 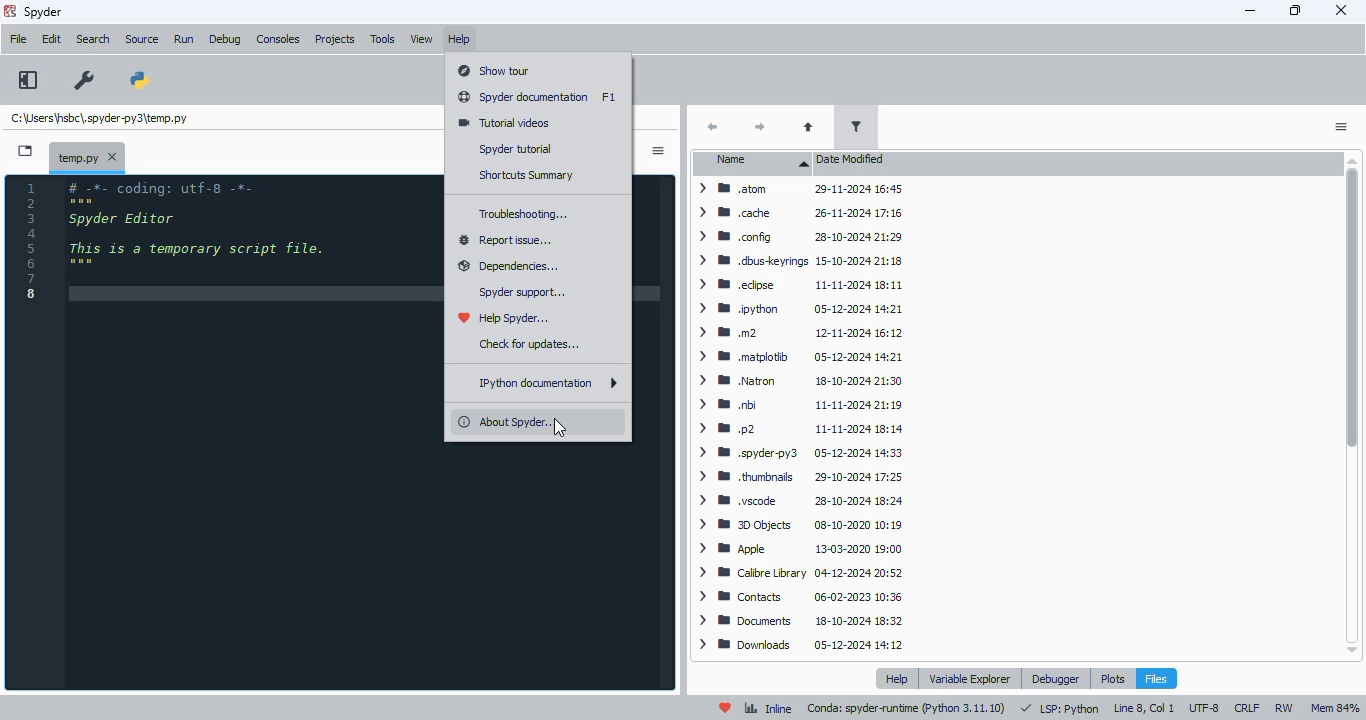 I want to click on spyder, so click(x=43, y=12).